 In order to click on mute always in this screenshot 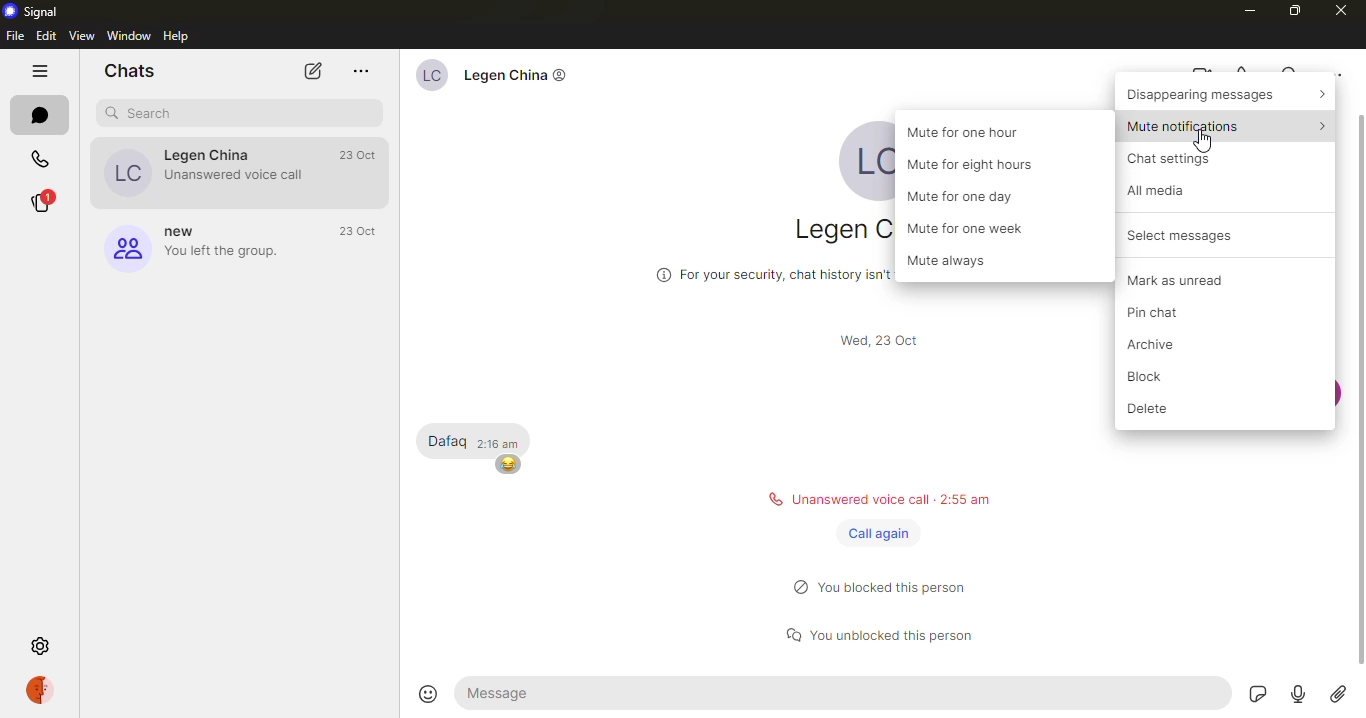, I will do `click(956, 262)`.